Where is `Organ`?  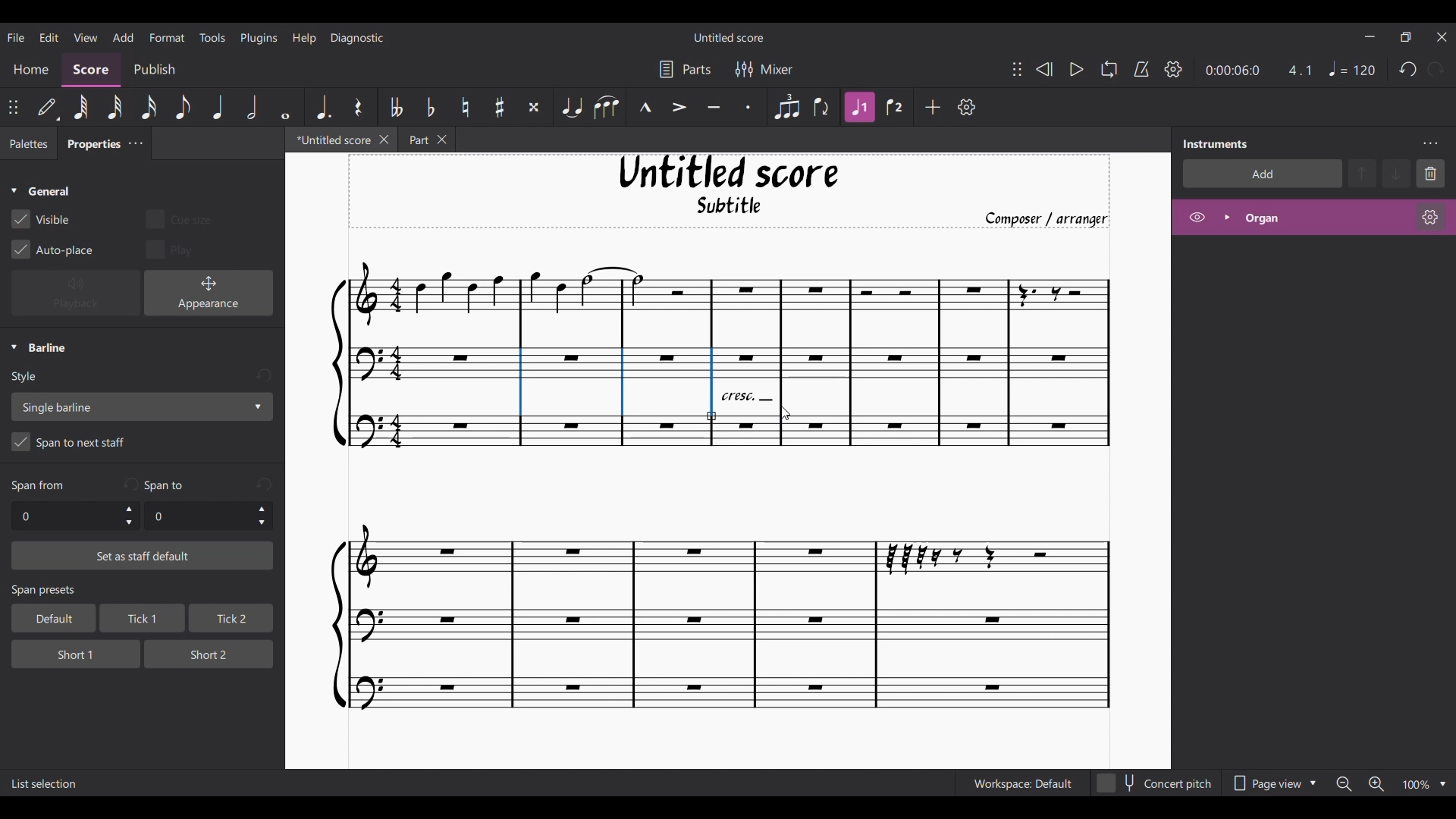
Organ is located at coordinates (1324, 218).